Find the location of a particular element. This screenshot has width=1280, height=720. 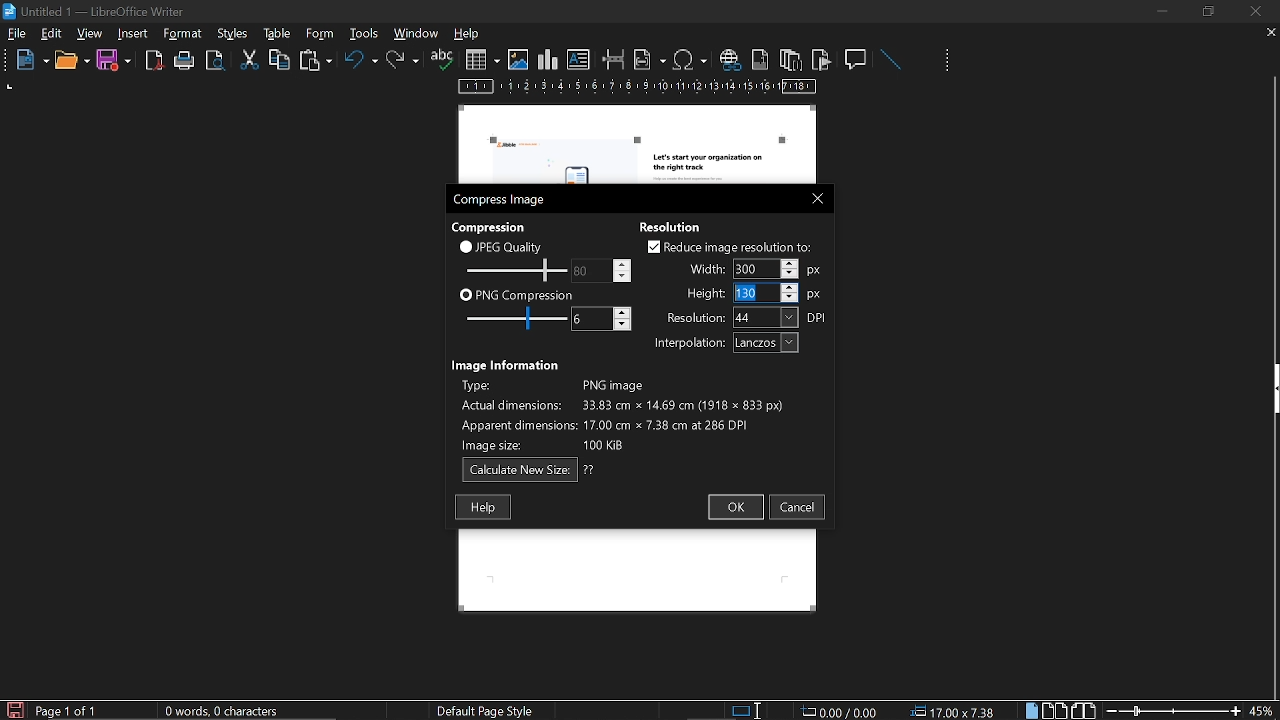

insert page break is located at coordinates (614, 60).